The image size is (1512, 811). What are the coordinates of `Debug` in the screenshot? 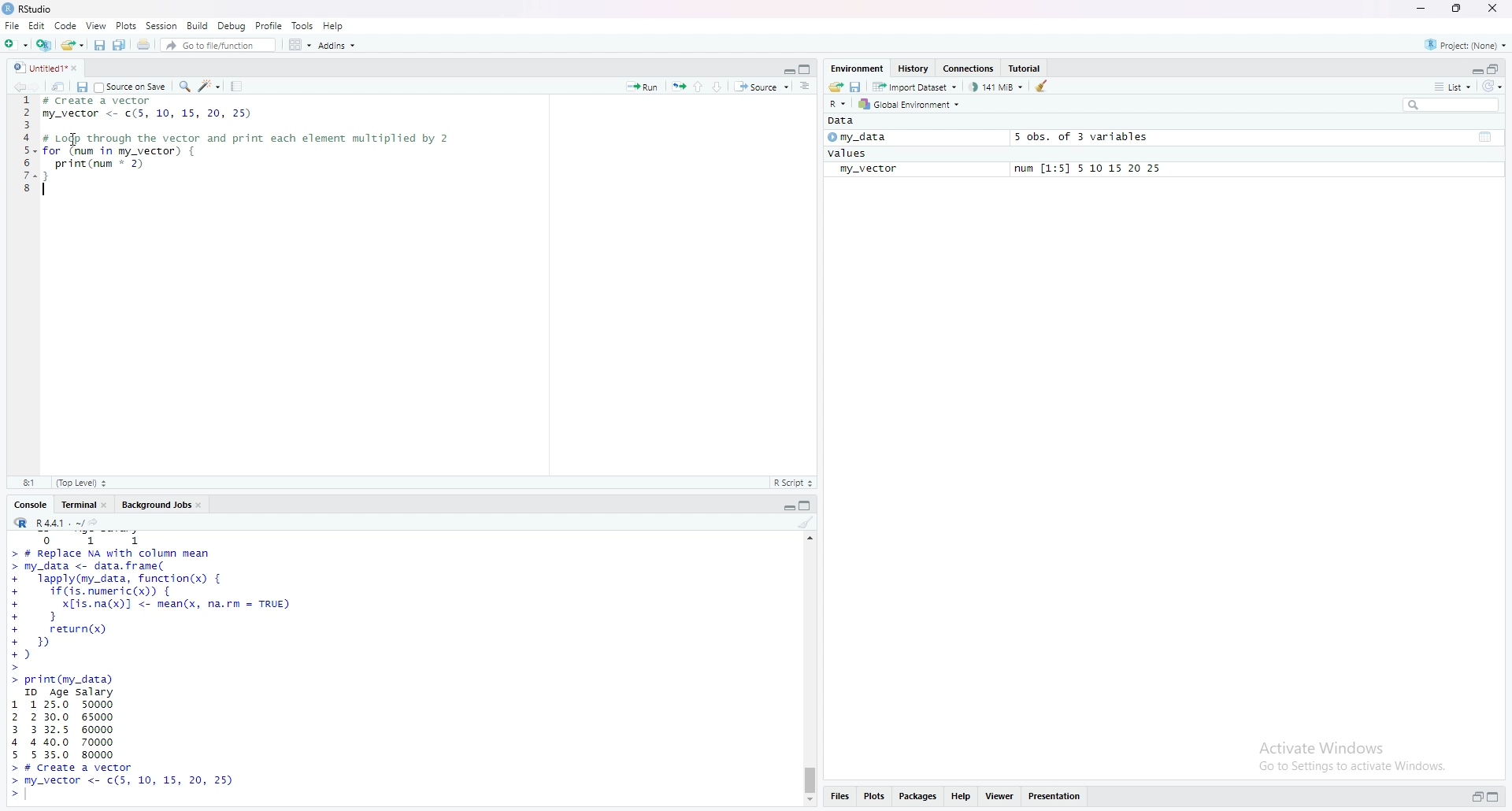 It's located at (233, 26).